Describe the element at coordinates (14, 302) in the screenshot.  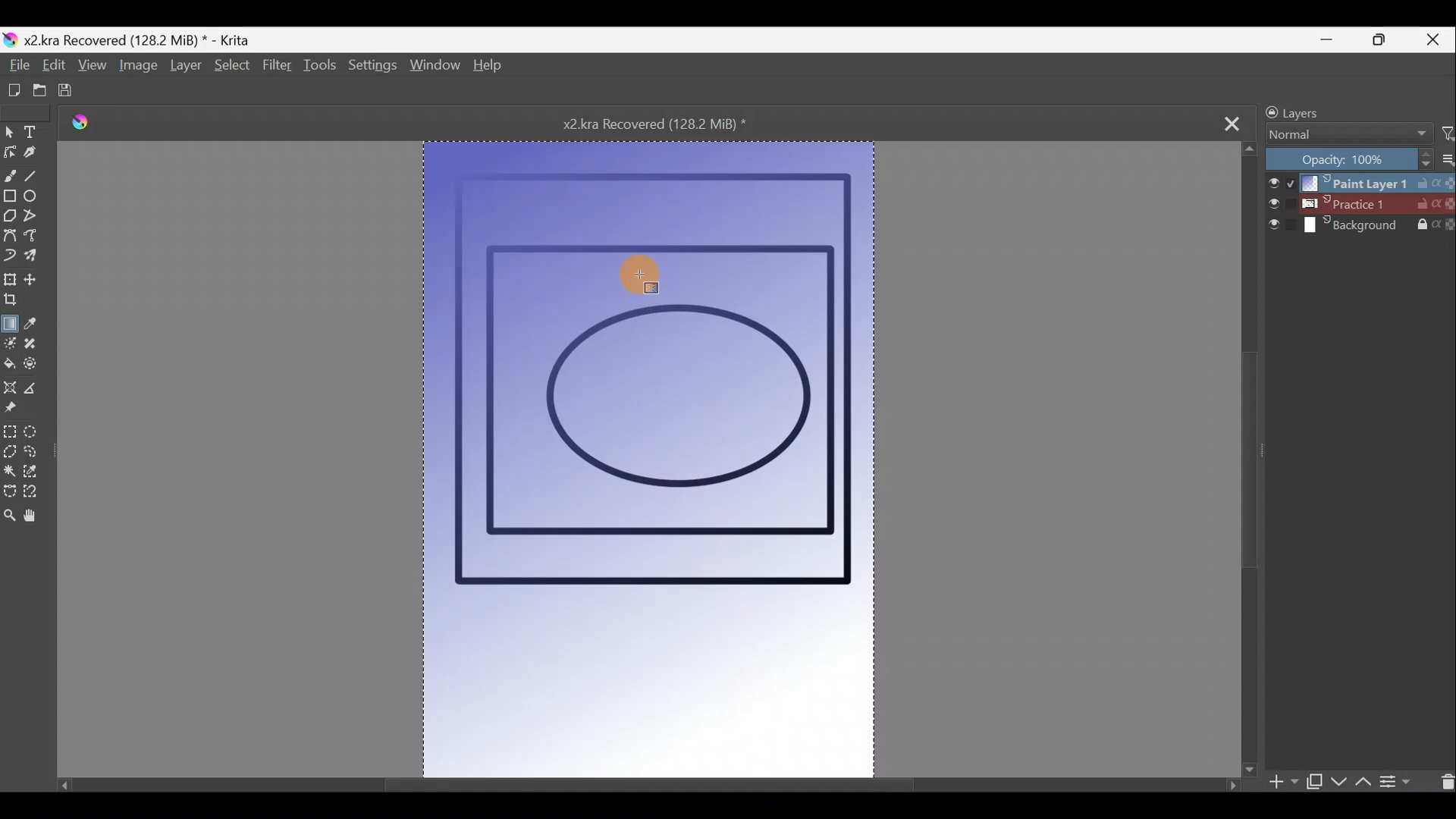
I see `Crop the image to an area` at that location.